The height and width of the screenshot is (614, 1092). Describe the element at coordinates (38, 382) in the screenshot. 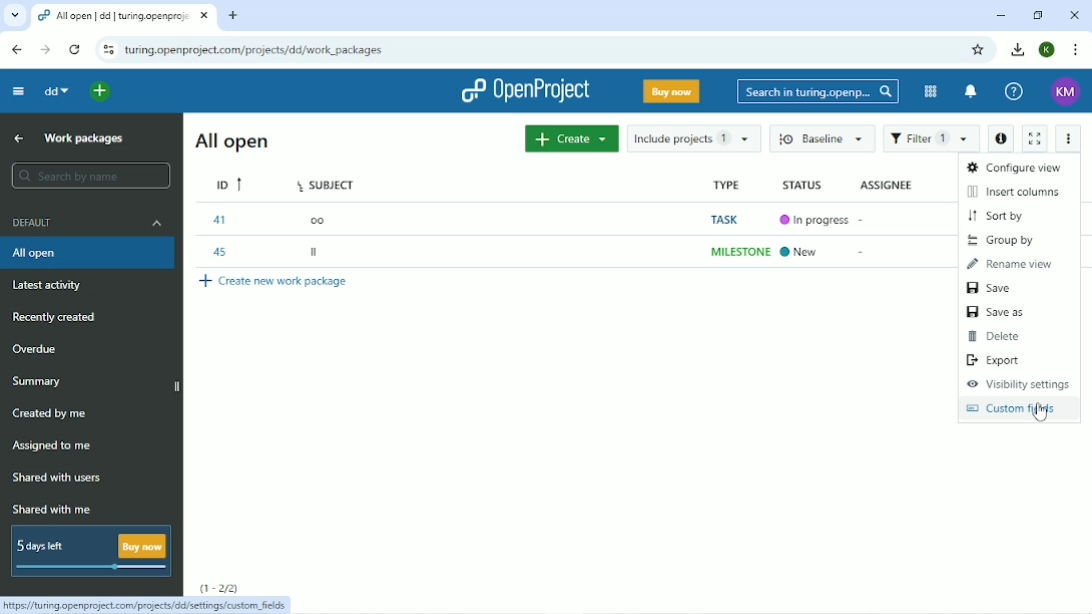

I see `Summary` at that location.